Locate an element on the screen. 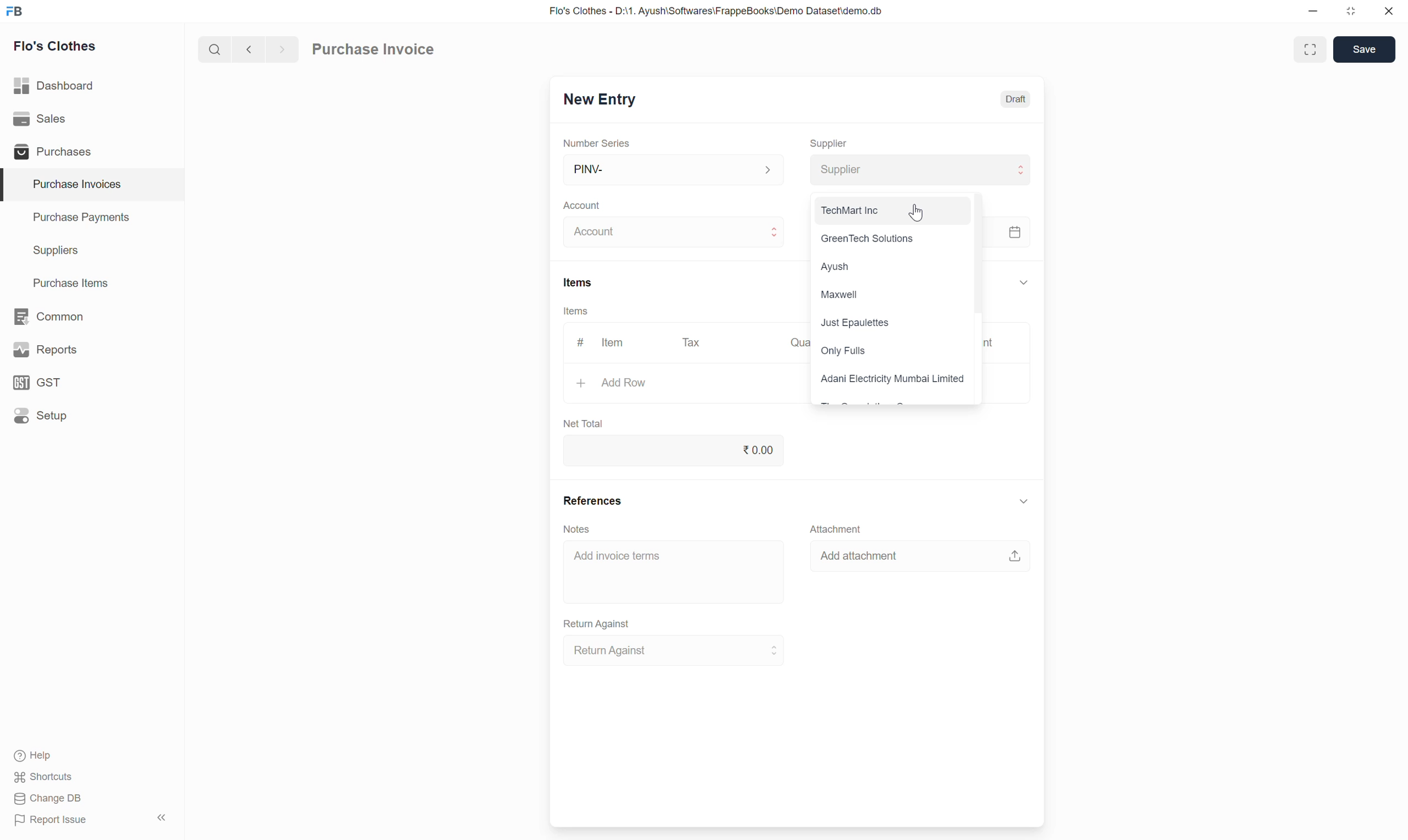 Image resolution: width=1408 pixels, height=840 pixels. Help is located at coordinates (38, 756).